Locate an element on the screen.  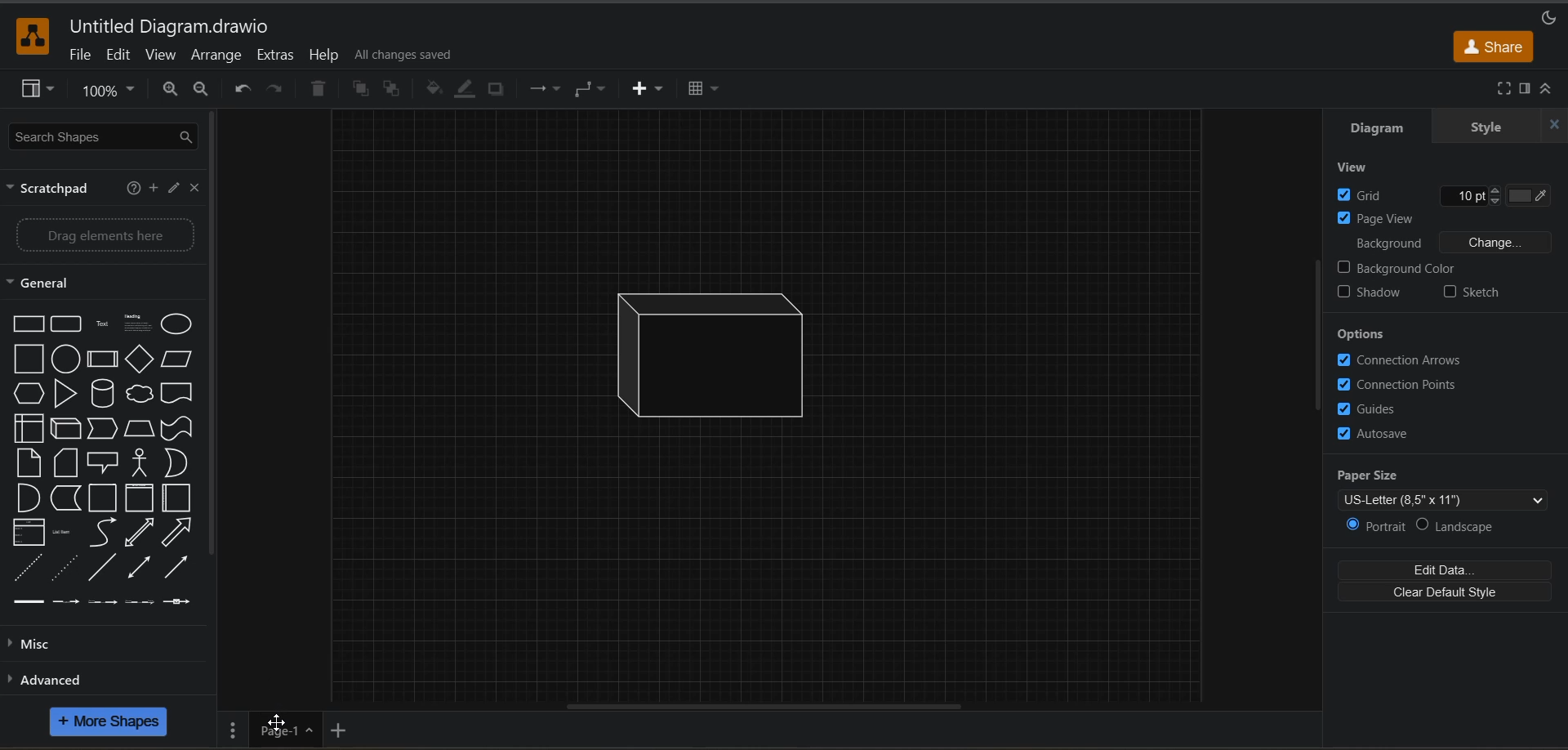
style is located at coordinates (1484, 128).